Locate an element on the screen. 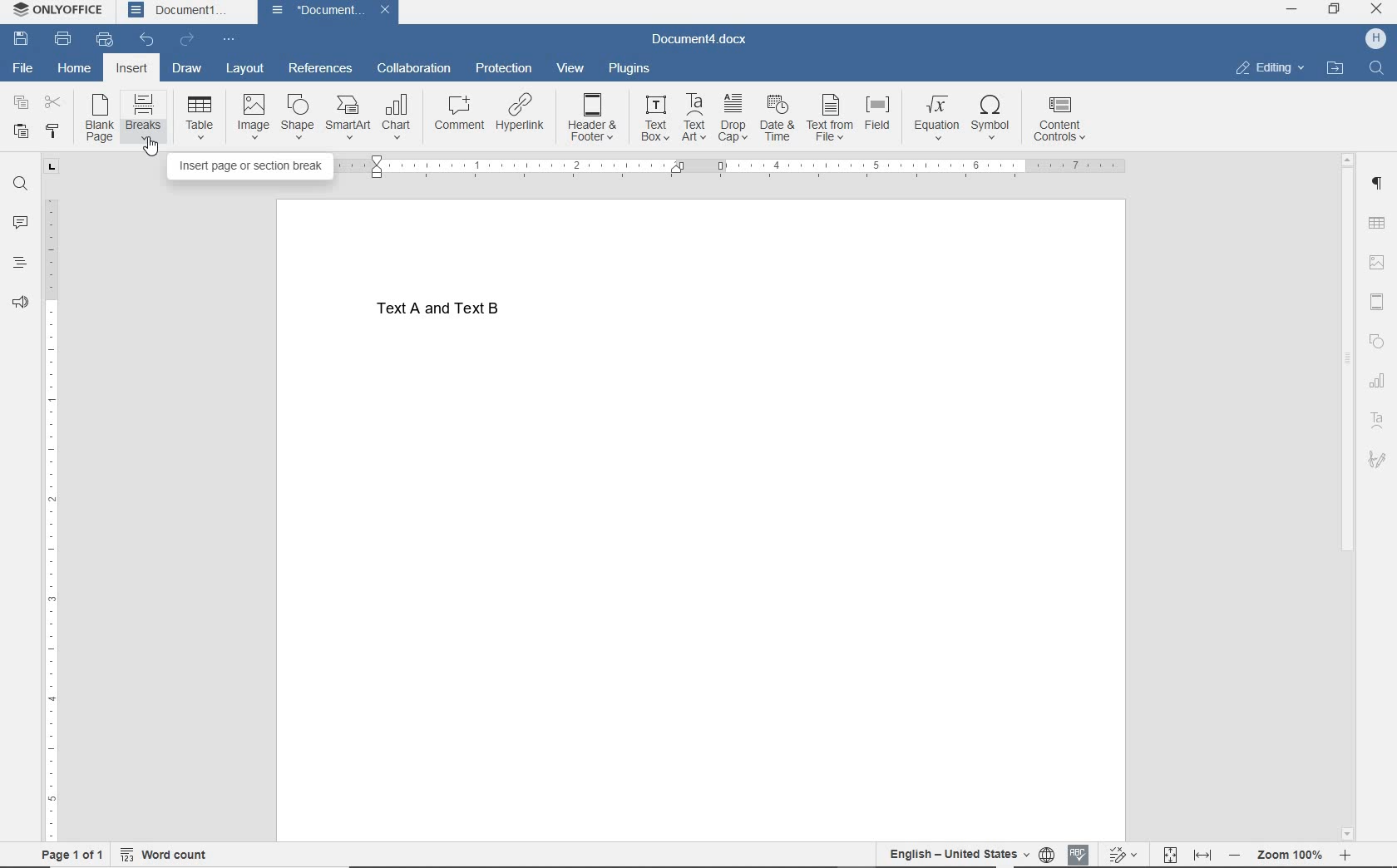  COMMENT is located at coordinates (456, 112).